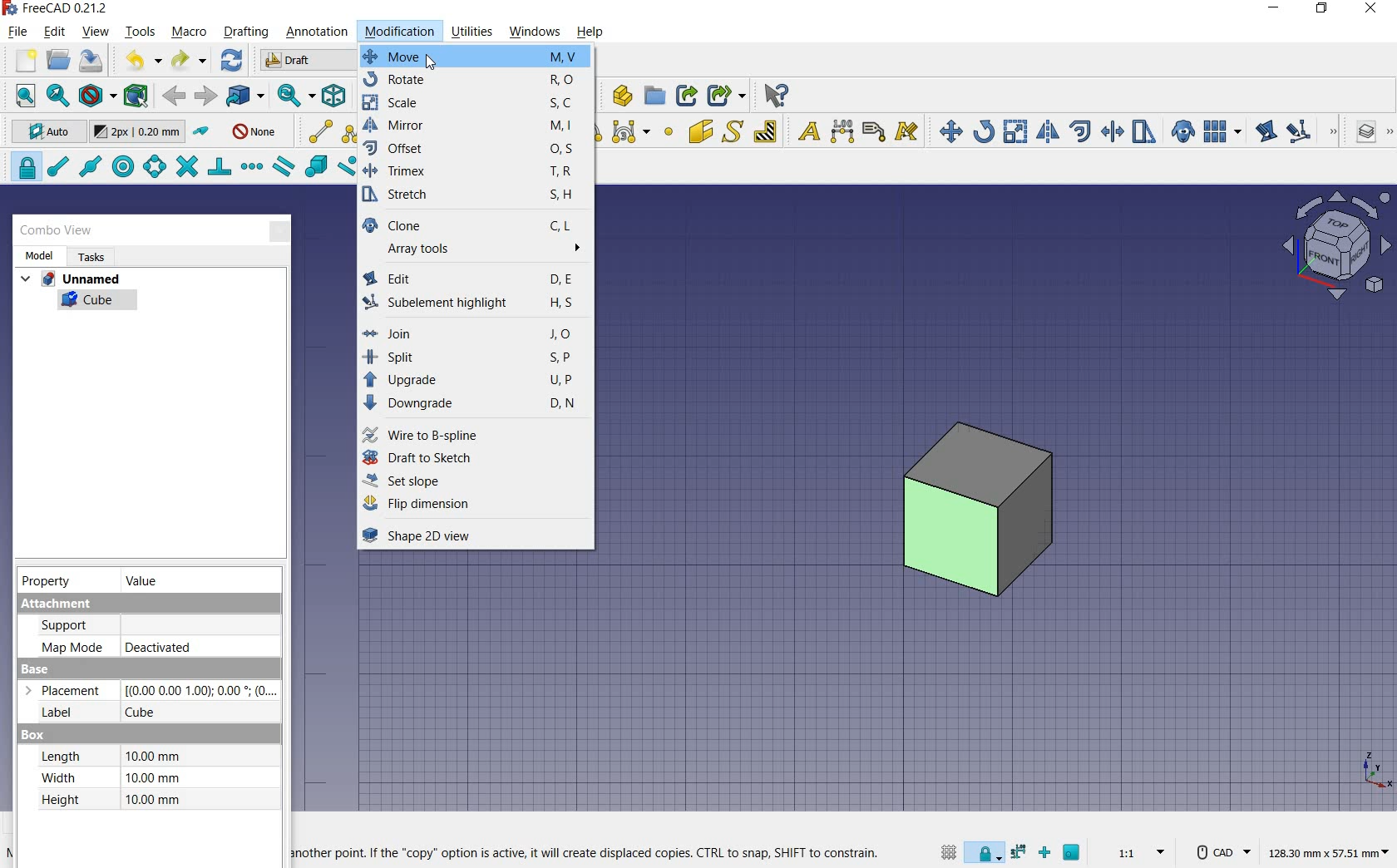 This screenshot has height=868, width=1397. What do you see at coordinates (975, 511) in the screenshot?
I see `object selected` at bounding box center [975, 511].